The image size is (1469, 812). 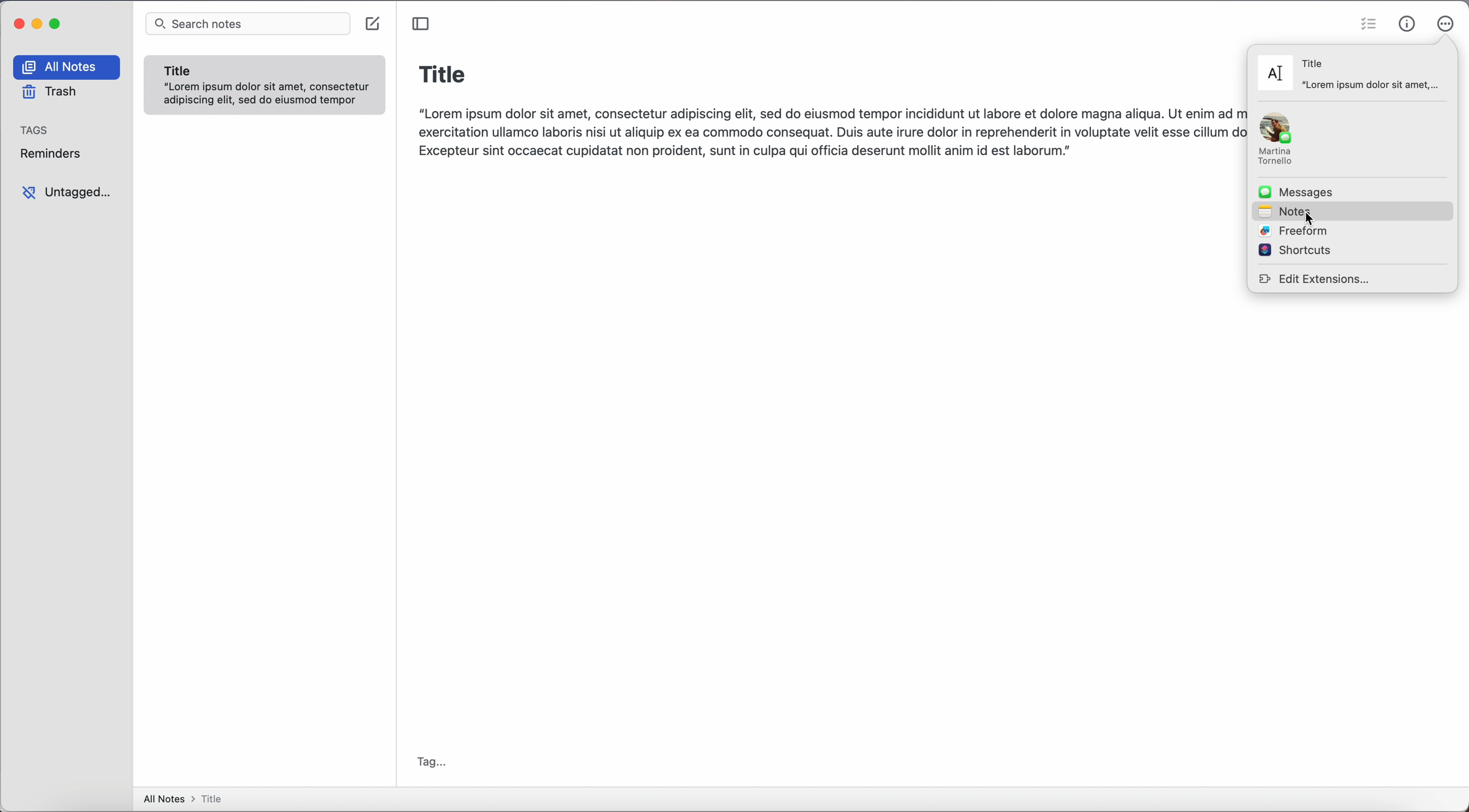 I want to click on actions, so click(x=1445, y=23).